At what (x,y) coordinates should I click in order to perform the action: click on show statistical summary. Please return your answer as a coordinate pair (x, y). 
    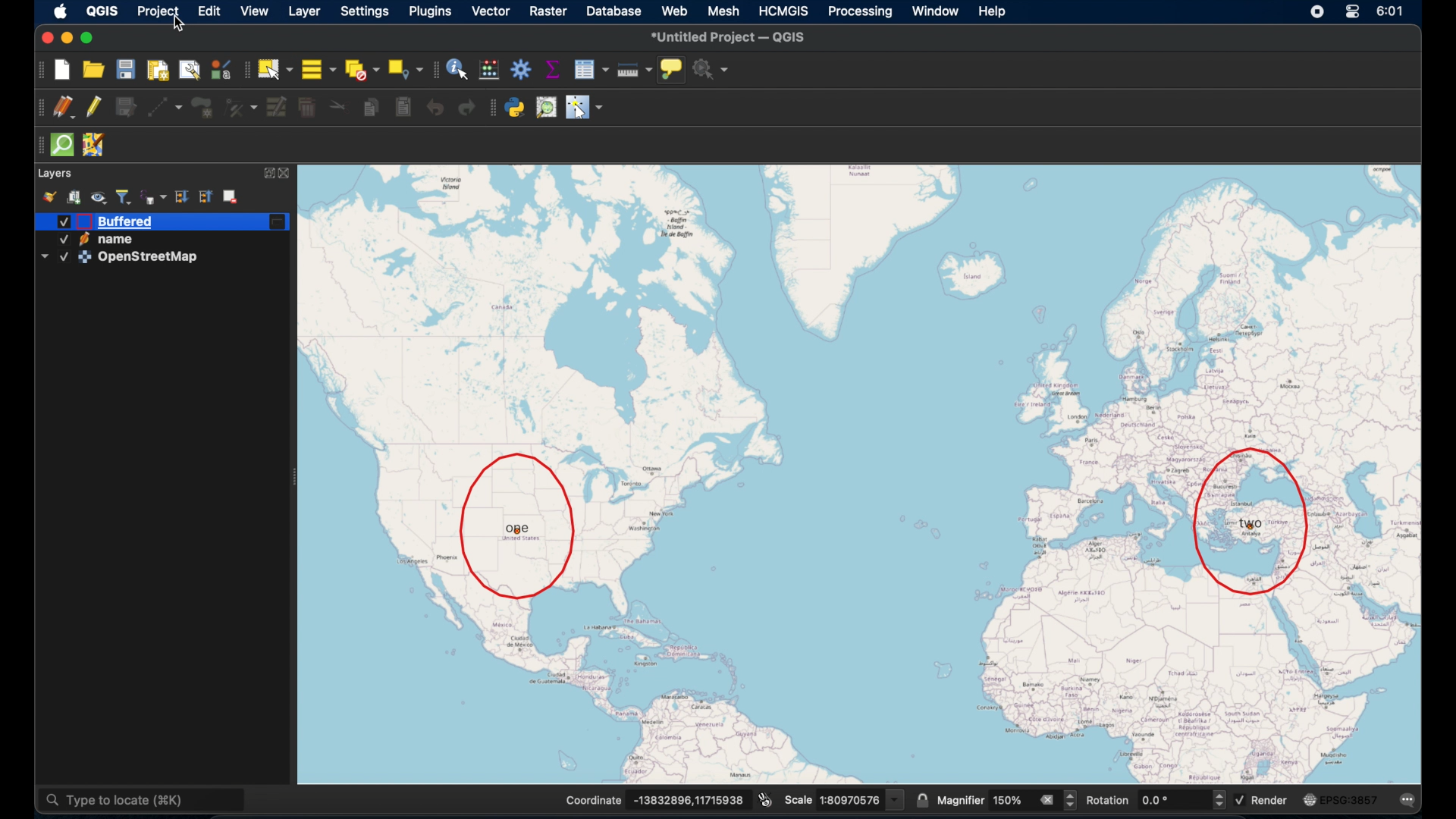
    Looking at the image, I should click on (554, 68).